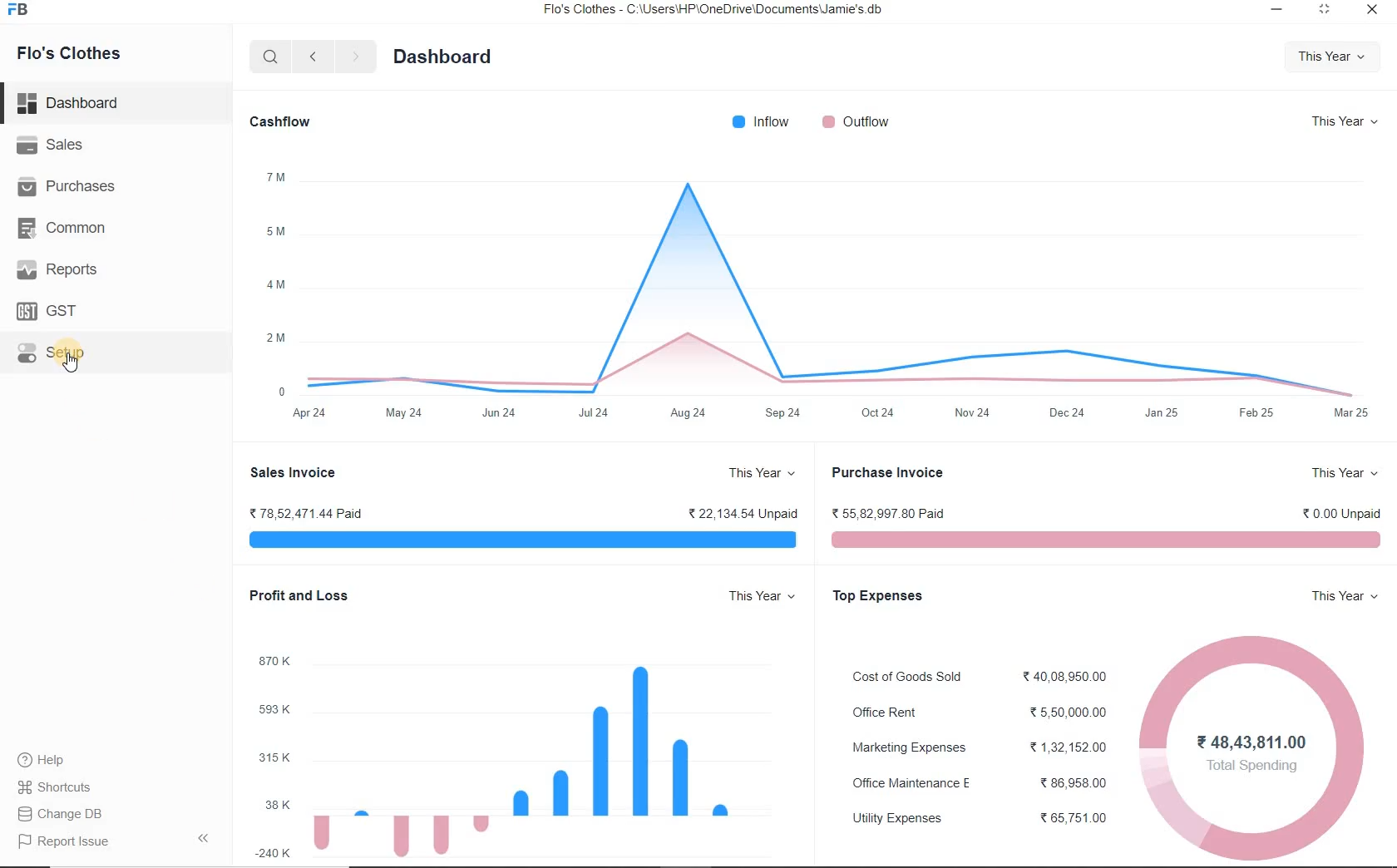 The image size is (1397, 868). I want to click on 0, so click(283, 392).